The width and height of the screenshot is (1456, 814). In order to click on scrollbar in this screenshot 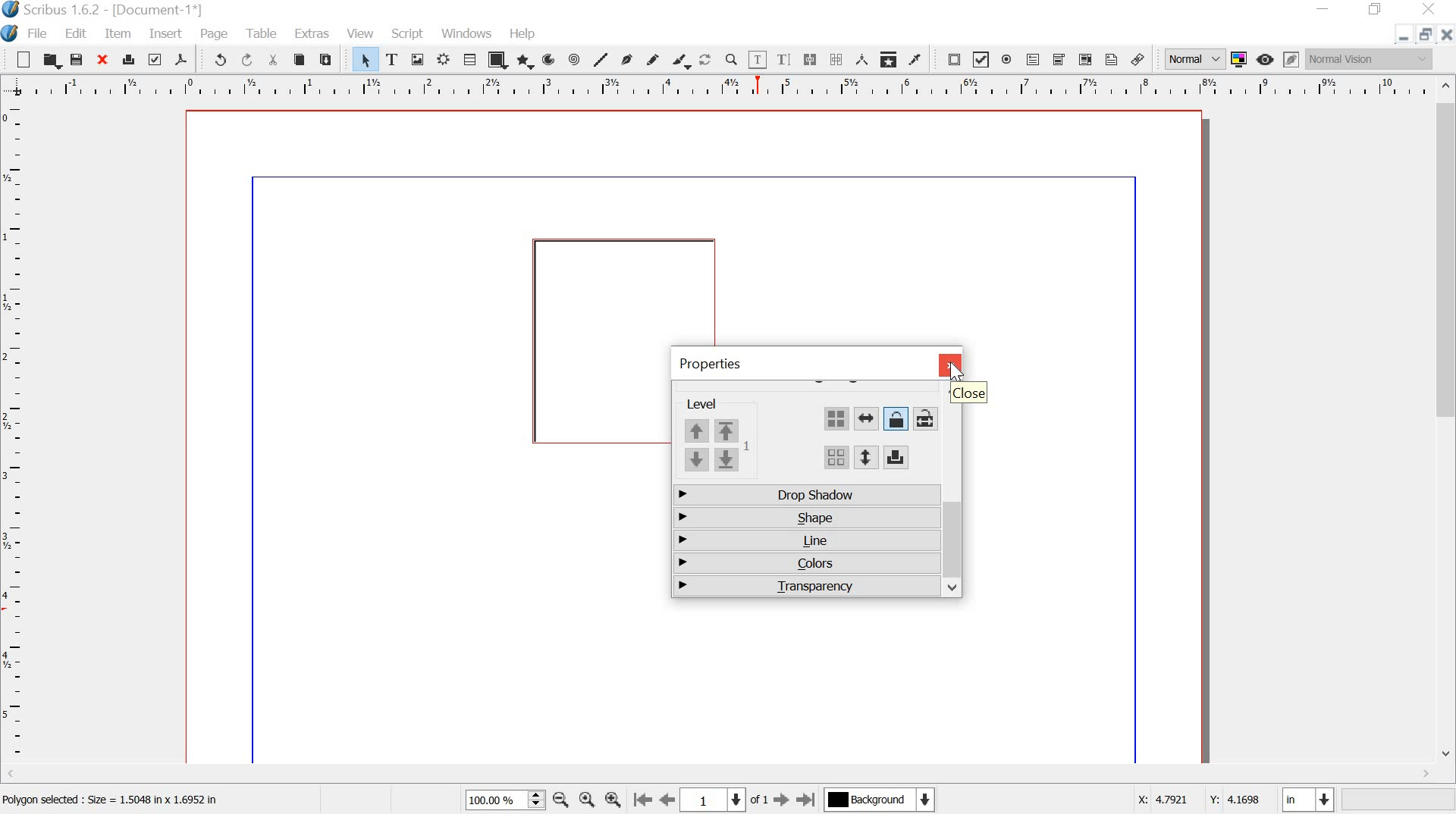, I will do `click(954, 546)`.